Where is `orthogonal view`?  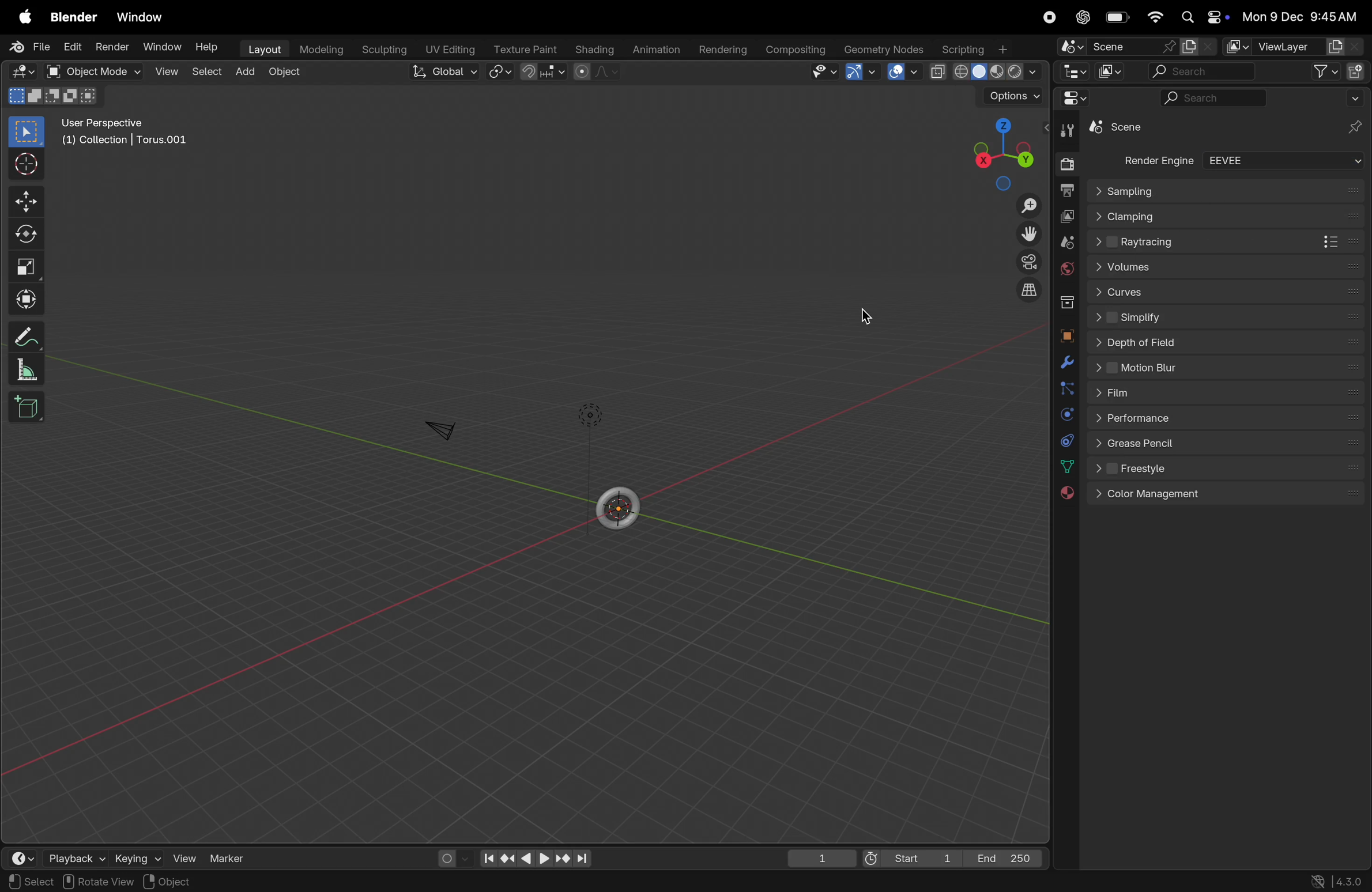
orthogonal view is located at coordinates (1032, 294).